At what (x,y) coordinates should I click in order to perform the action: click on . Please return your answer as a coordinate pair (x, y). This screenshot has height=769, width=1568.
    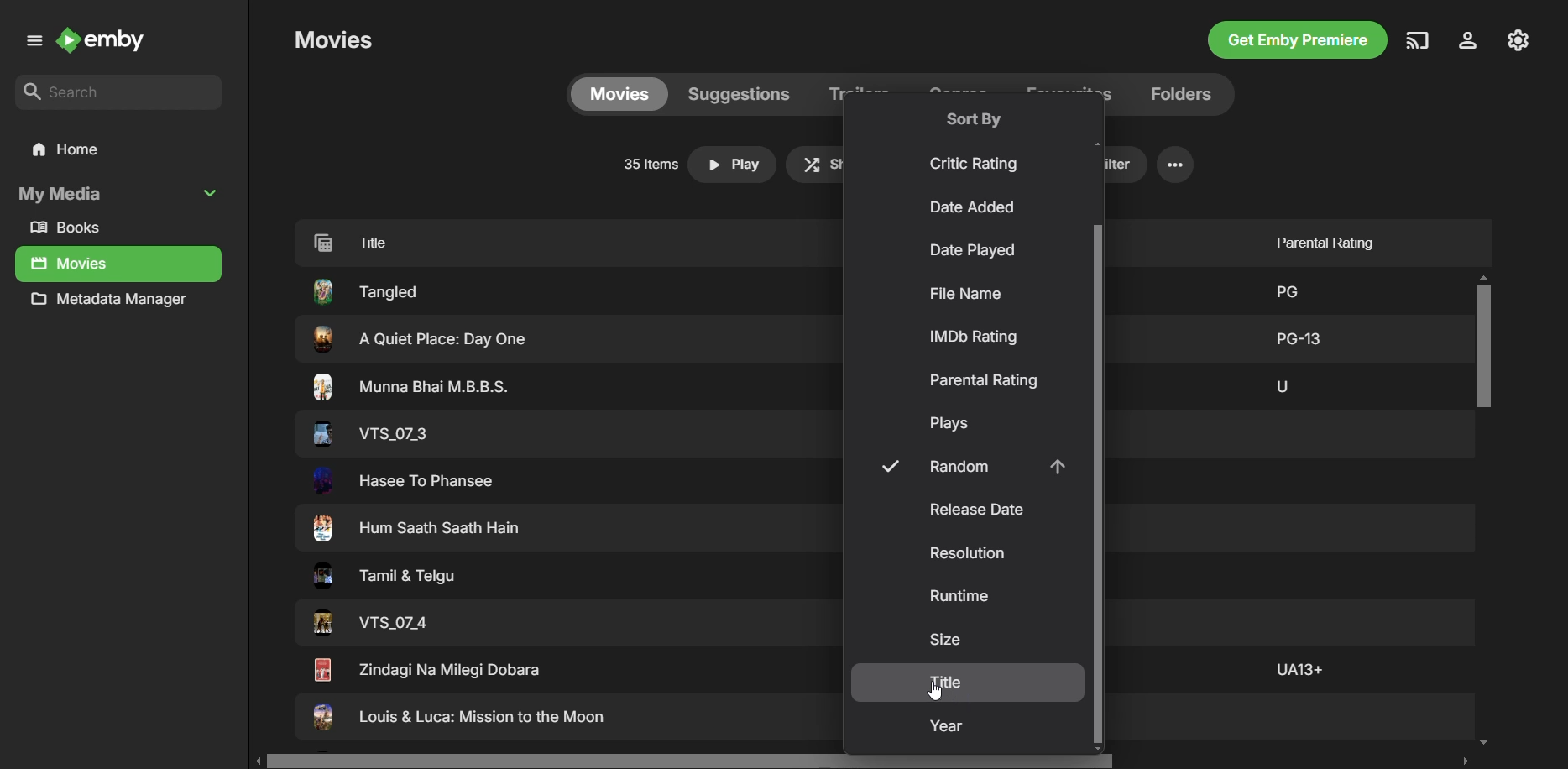
    Looking at the image, I should click on (365, 290).